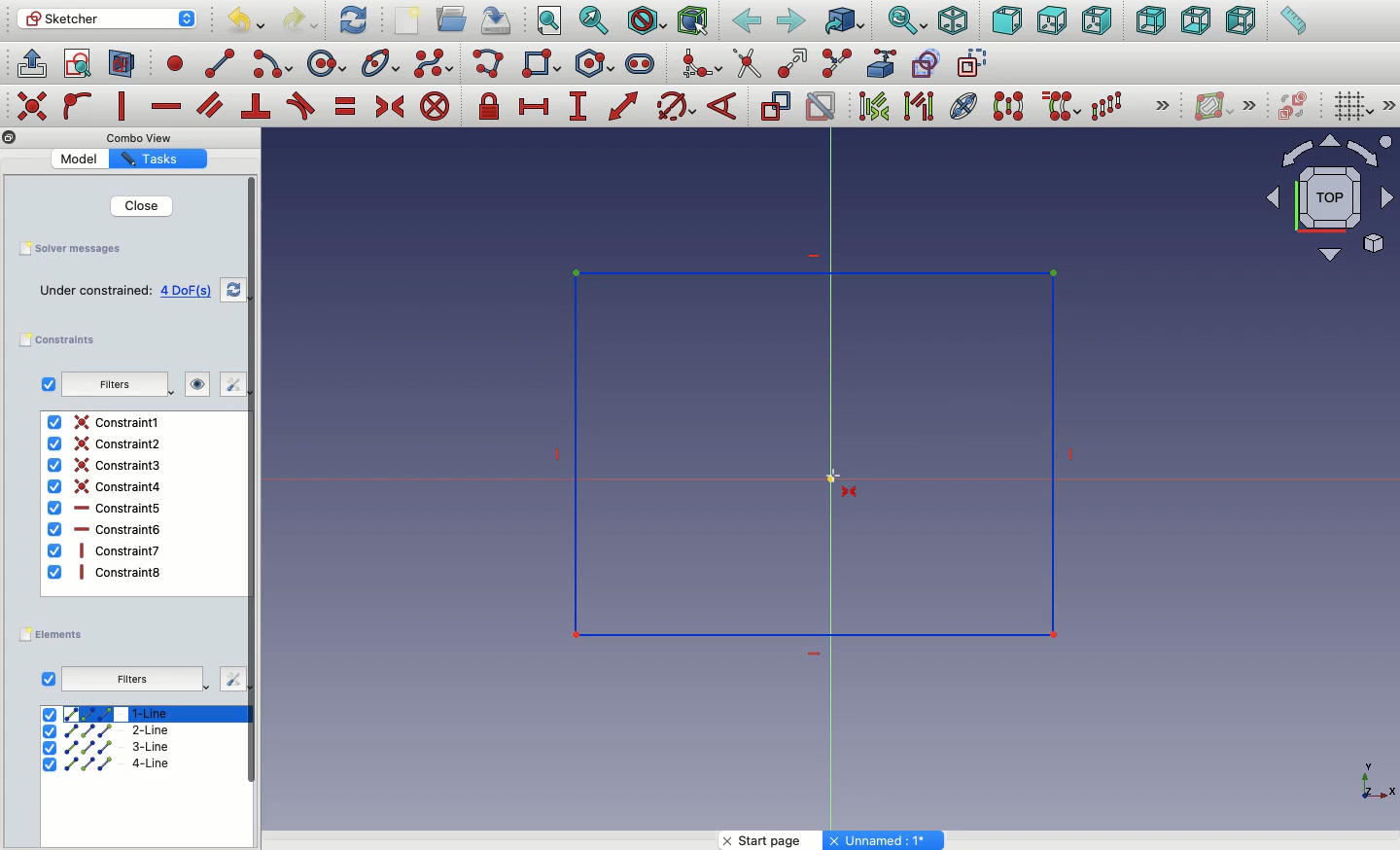  Describe the element at coordinates (106, 572) in the screenshot. I see `Constraint8` at that location.